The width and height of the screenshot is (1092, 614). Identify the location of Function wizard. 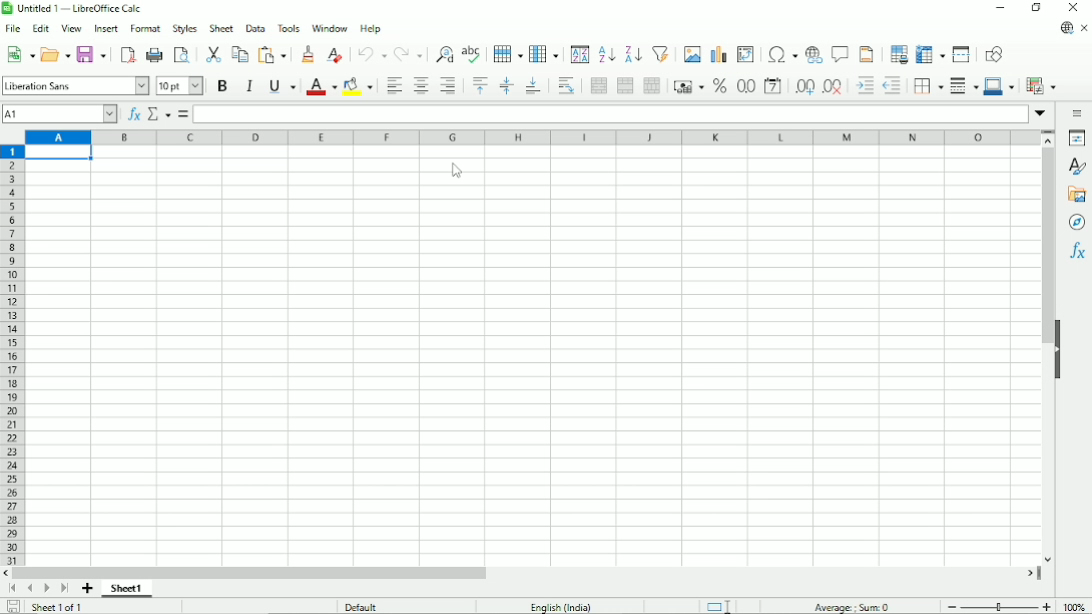
(133, 114).